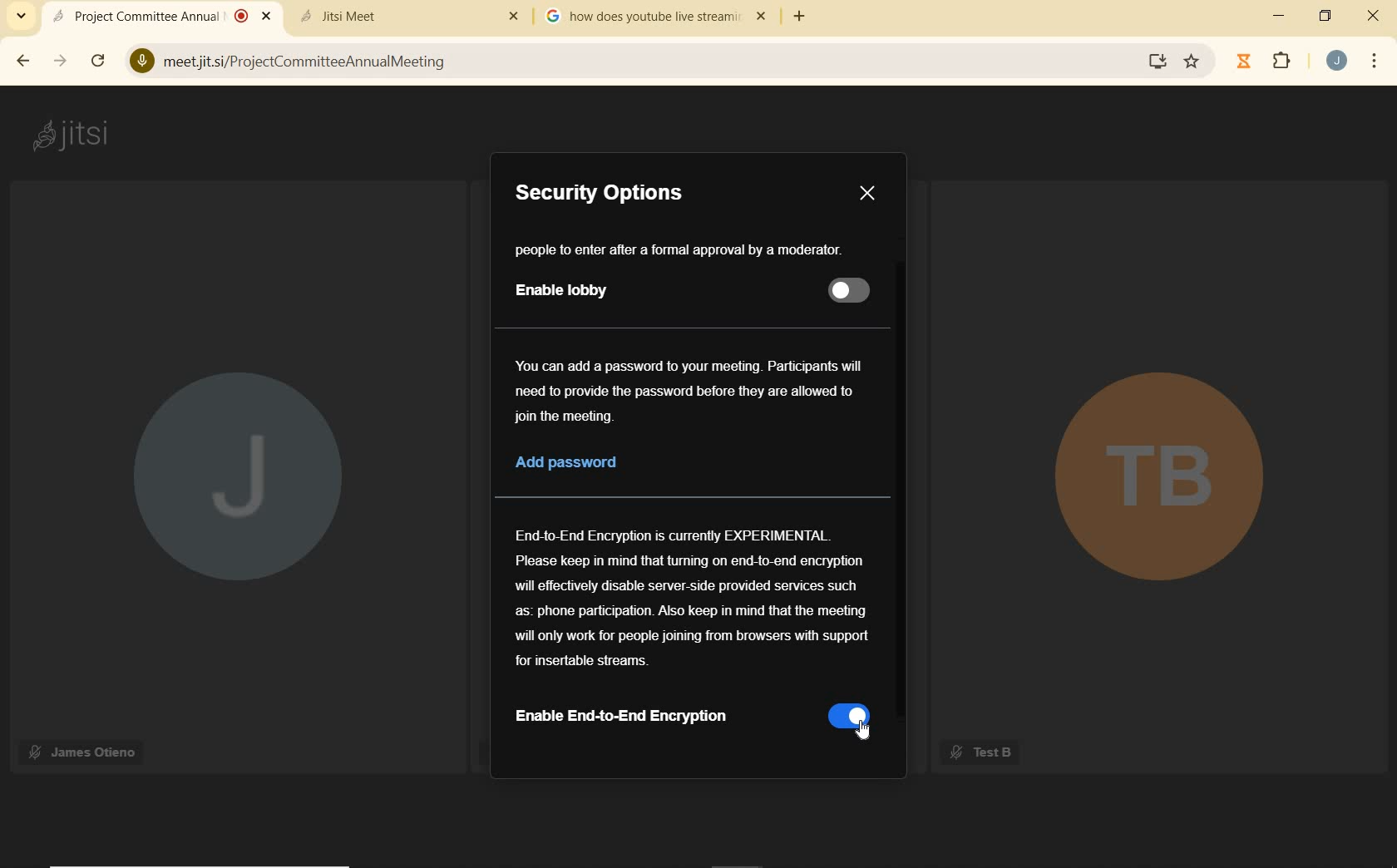  Describe the element at coordinates (412, 14) in the screenshot. I see `Jitsi Meet` at that location.